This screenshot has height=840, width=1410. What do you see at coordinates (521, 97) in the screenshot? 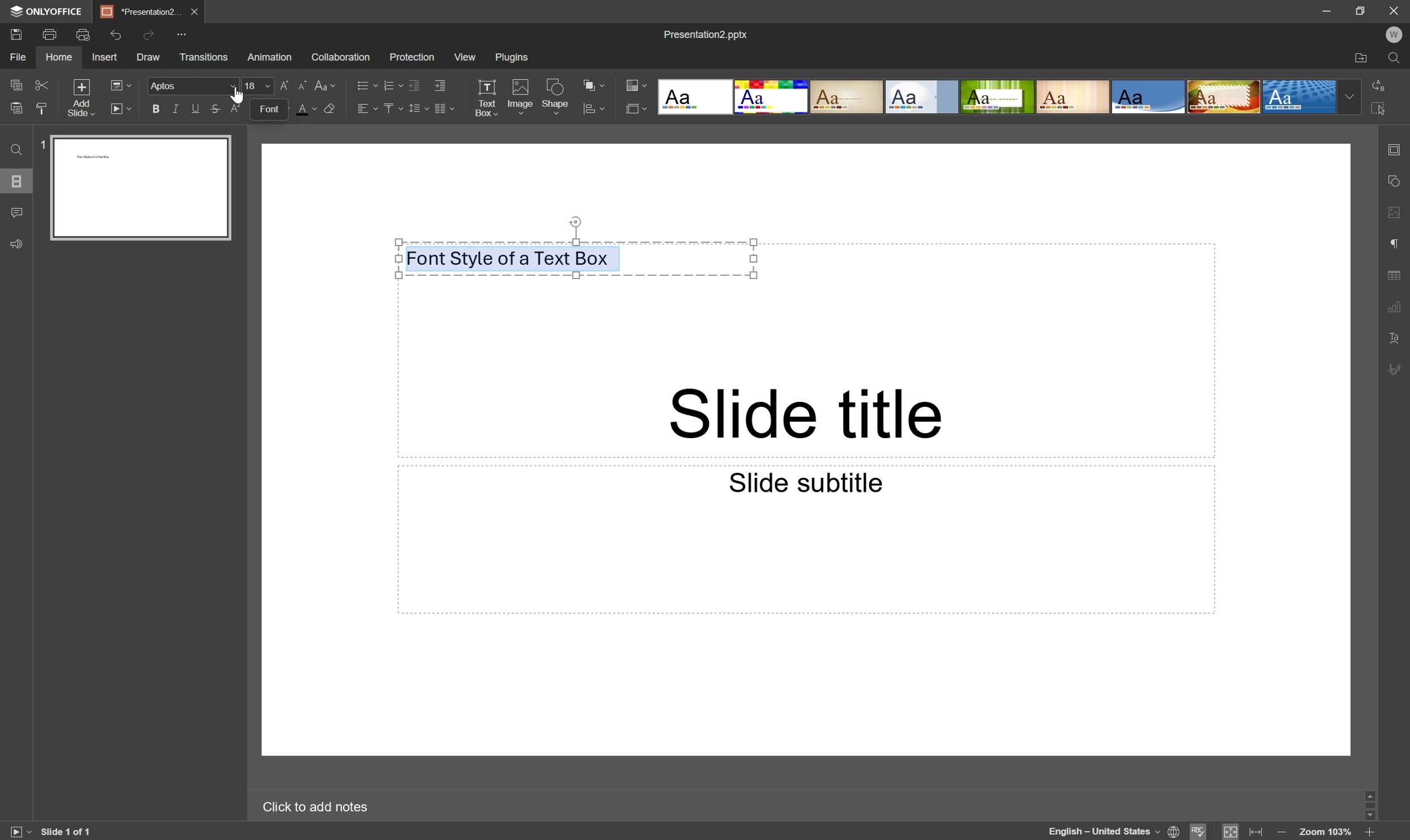
I see `Image` at bounding box center [521, 97].